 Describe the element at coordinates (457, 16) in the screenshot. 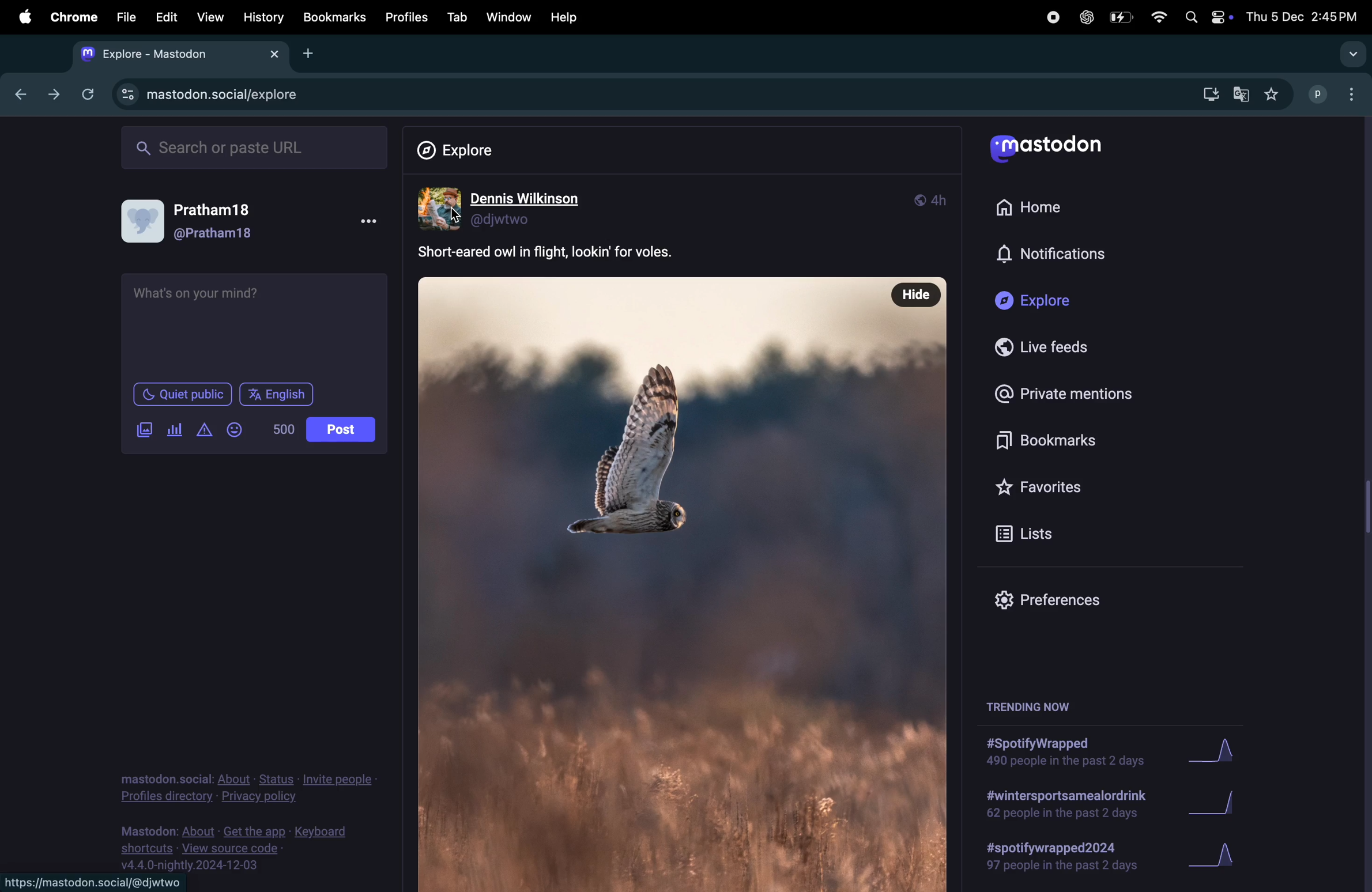

I see `tab` at that location.